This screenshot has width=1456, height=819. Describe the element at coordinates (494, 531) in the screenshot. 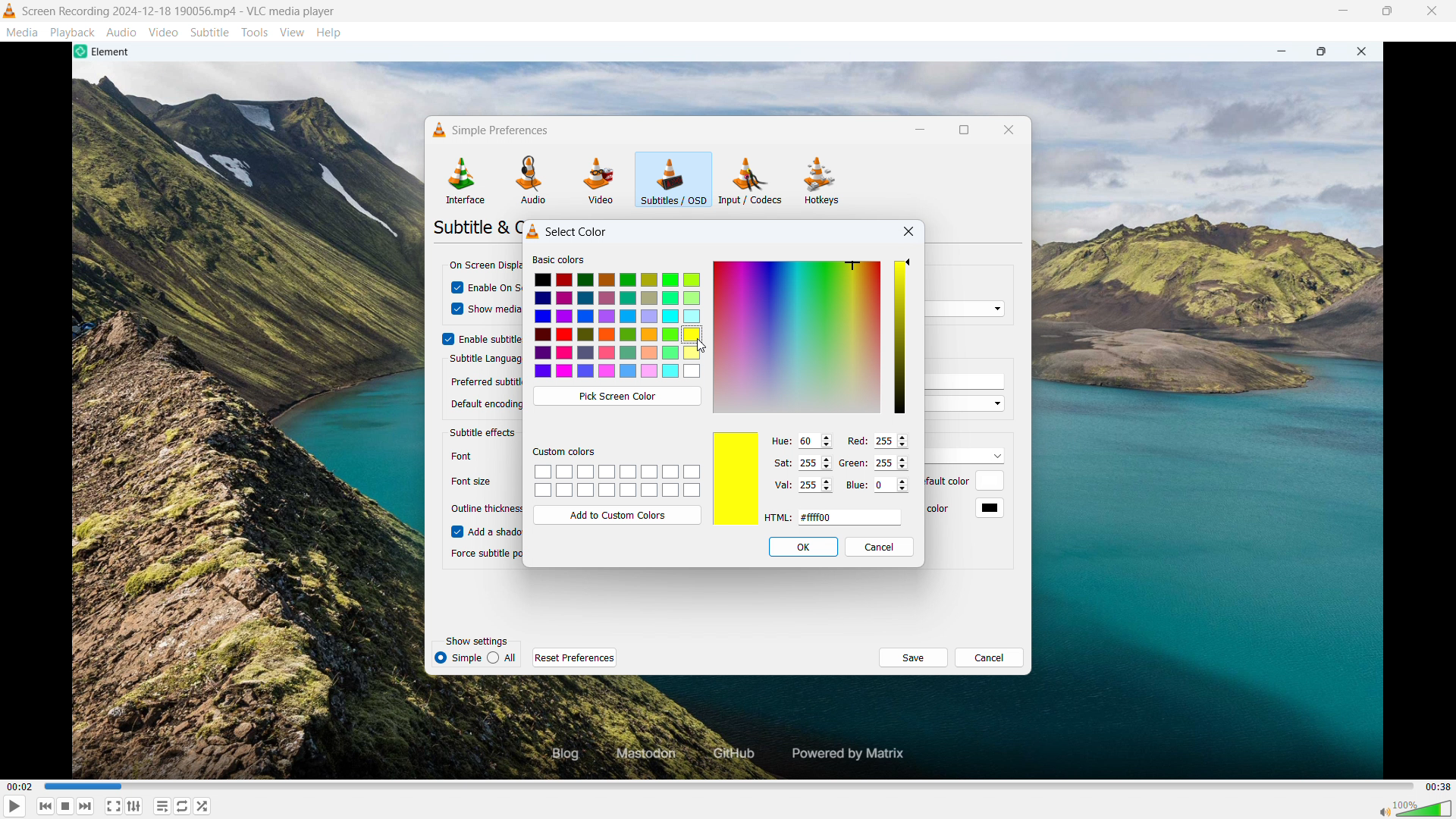

I see `Add a shadow ` at that location.